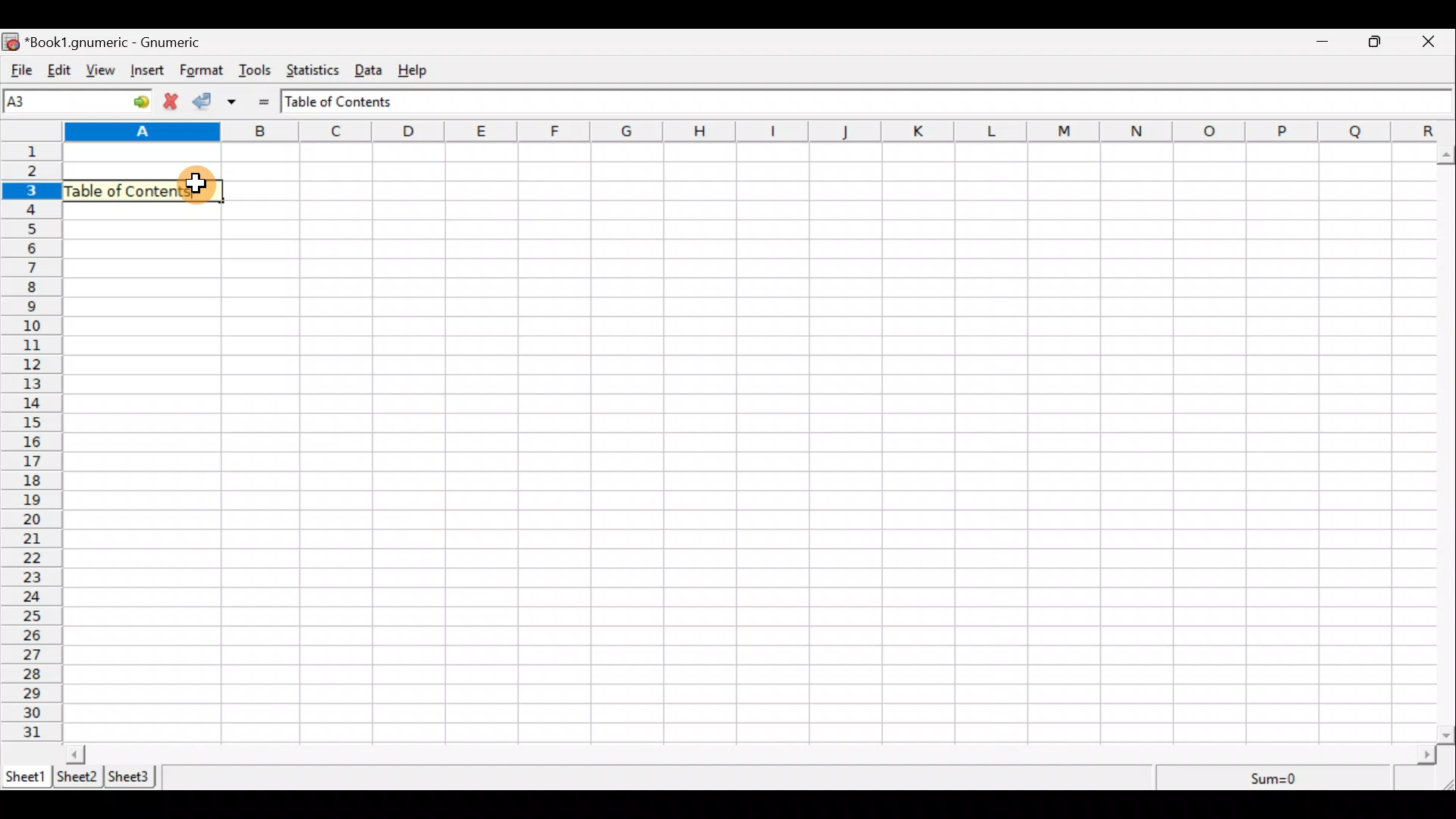 The height and width of the screenshot is (819, 1456). Describe the element at coordinates (174, 103) in the screenshot. I see `Cancel change` at that location.